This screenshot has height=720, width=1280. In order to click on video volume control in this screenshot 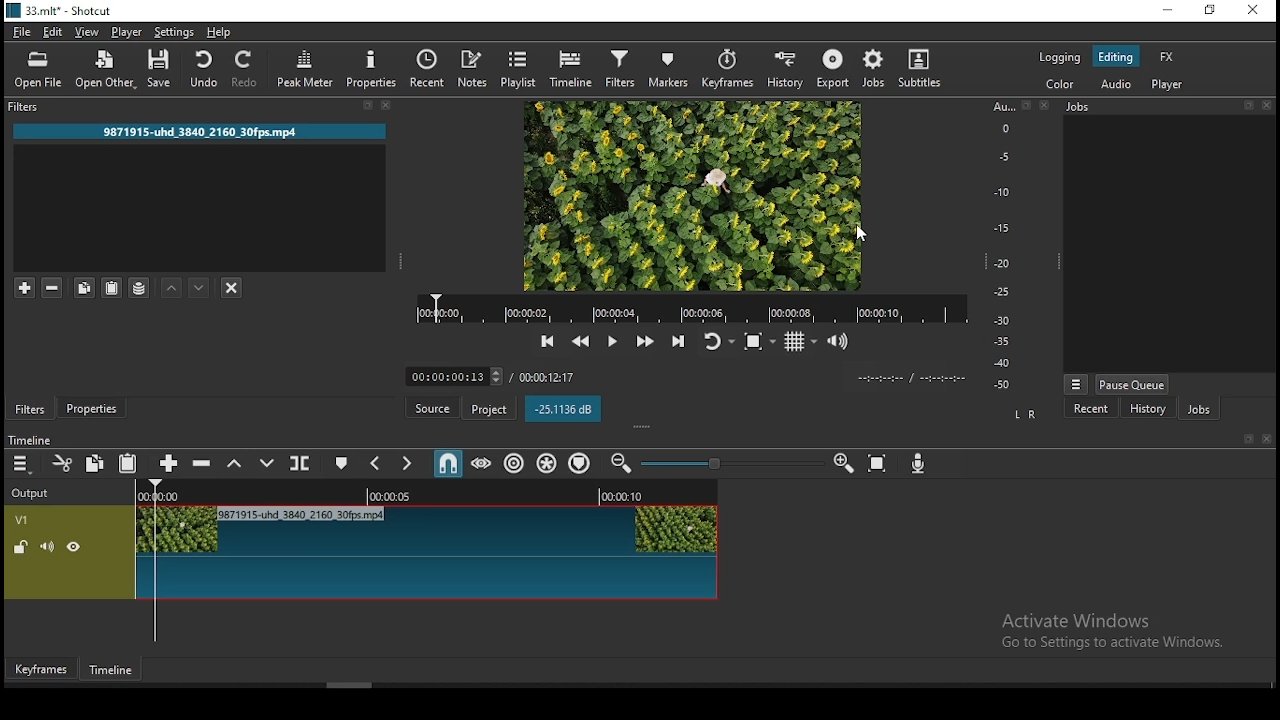, I will do `click(839, 342)`.